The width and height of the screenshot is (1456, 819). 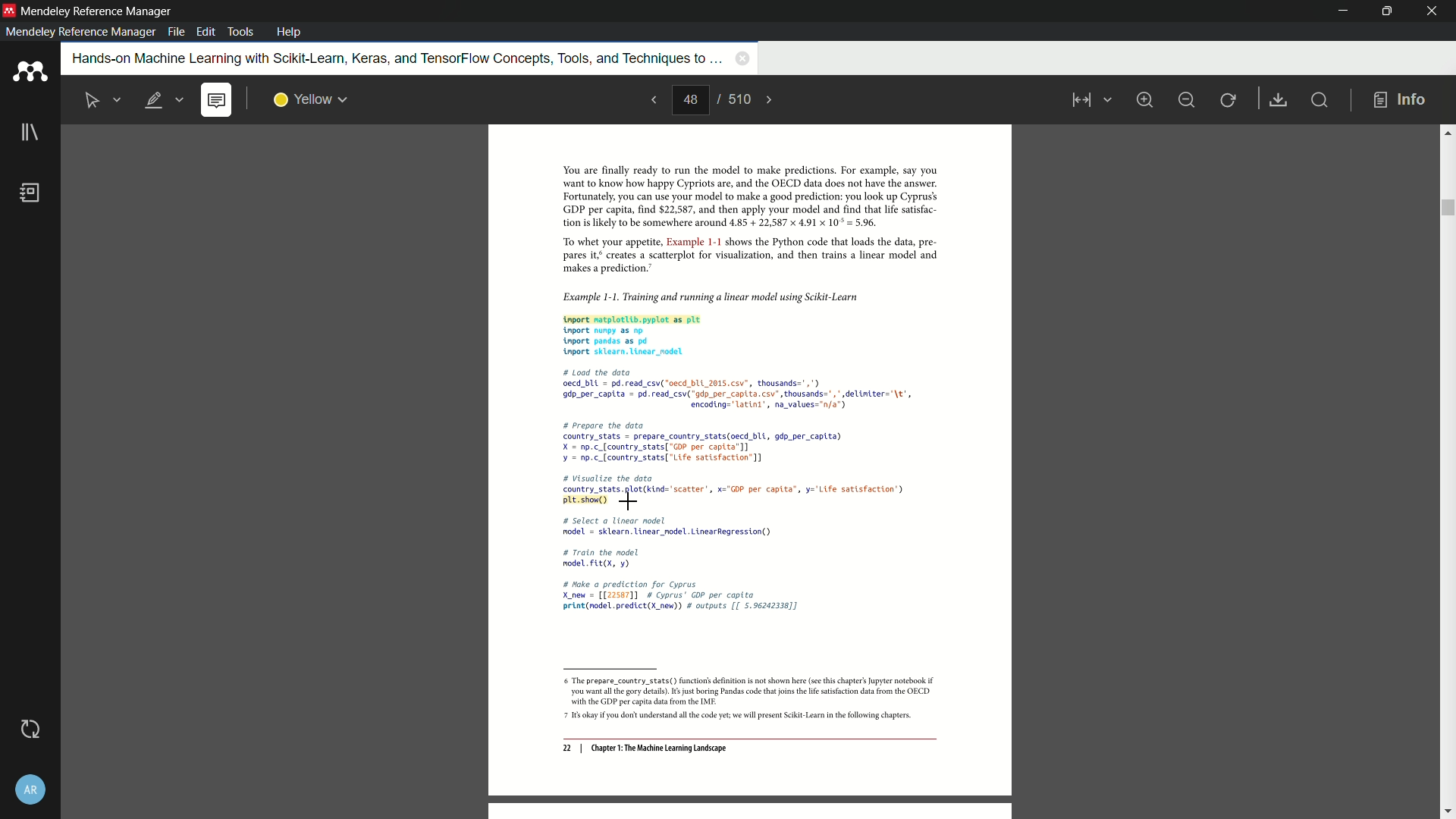 I want to click on current page, so click(x=690, y=100).